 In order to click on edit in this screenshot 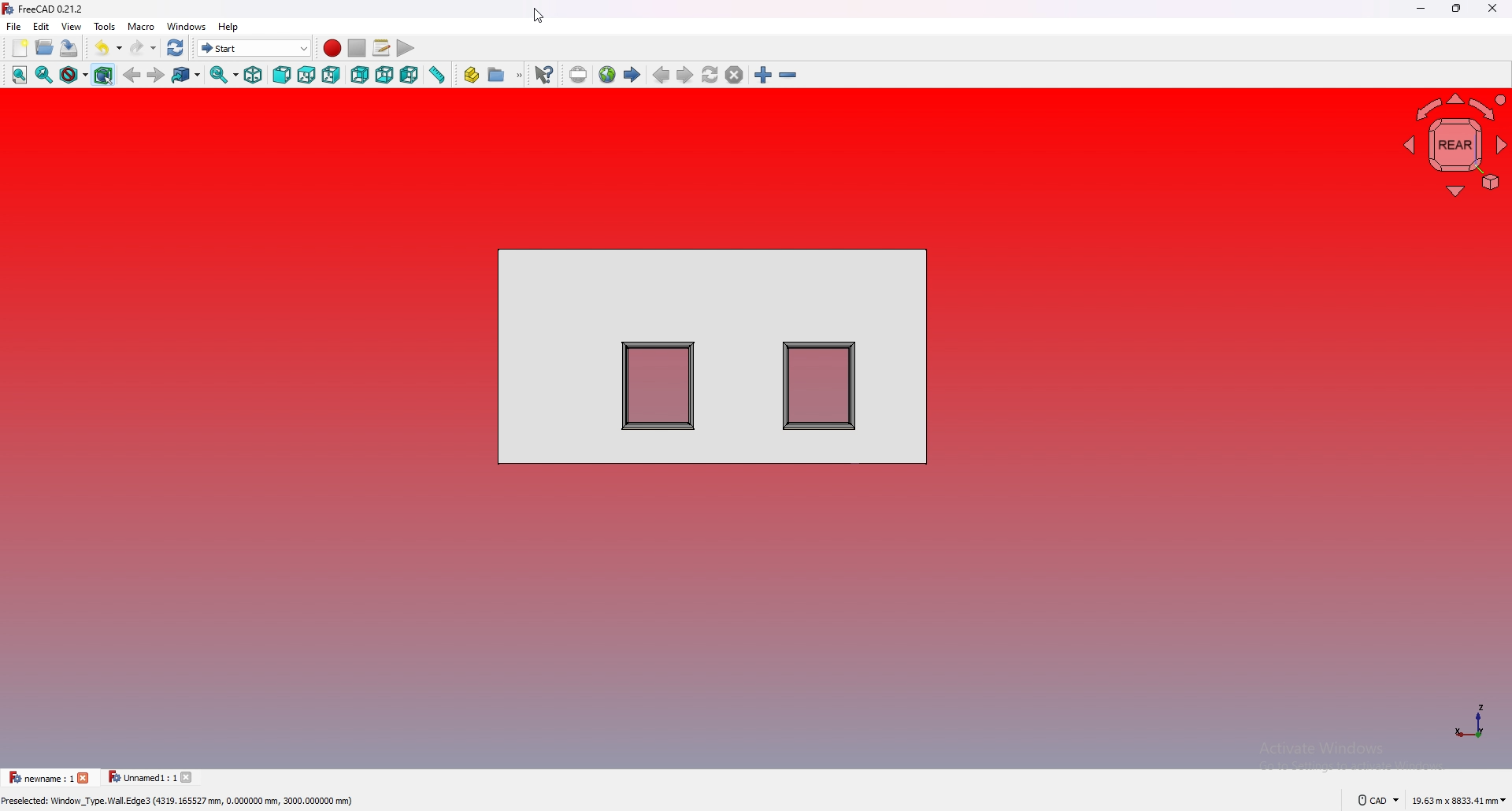, I will do `click(43, 26)`.